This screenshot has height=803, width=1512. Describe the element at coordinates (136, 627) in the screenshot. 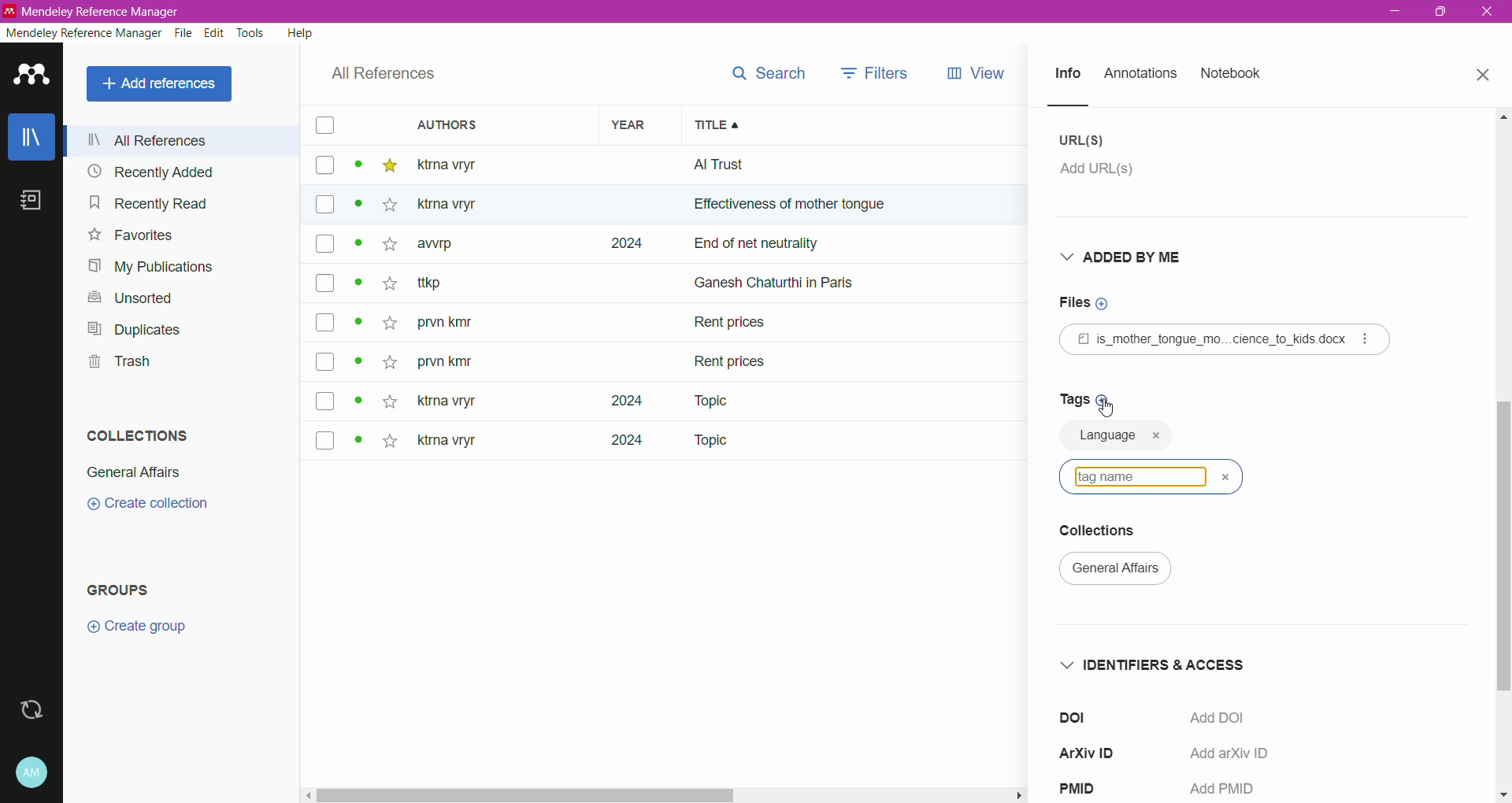

I see `Create group` at that location.